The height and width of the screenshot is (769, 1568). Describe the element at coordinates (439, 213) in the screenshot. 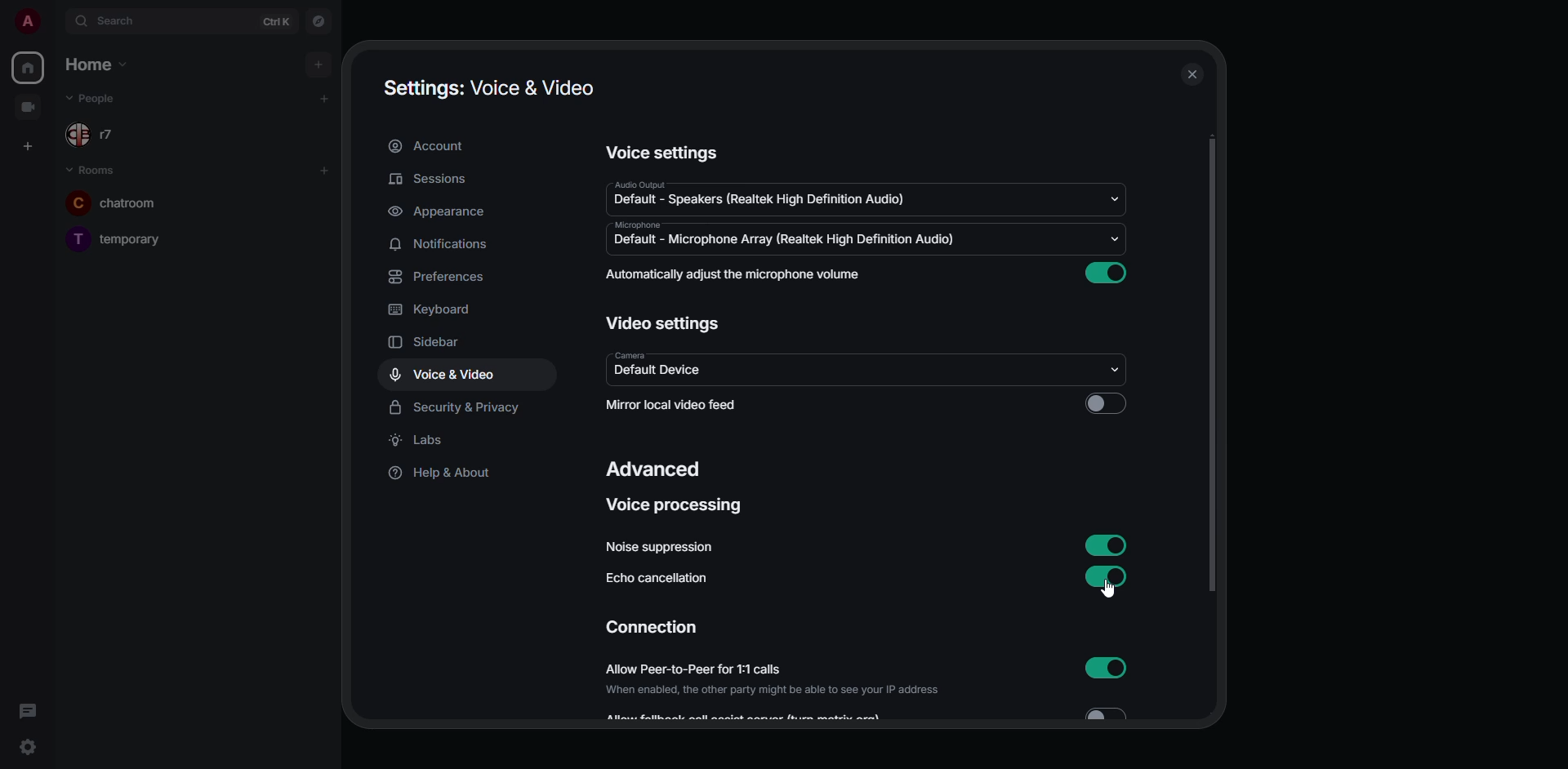

I see `appearance` at that location.